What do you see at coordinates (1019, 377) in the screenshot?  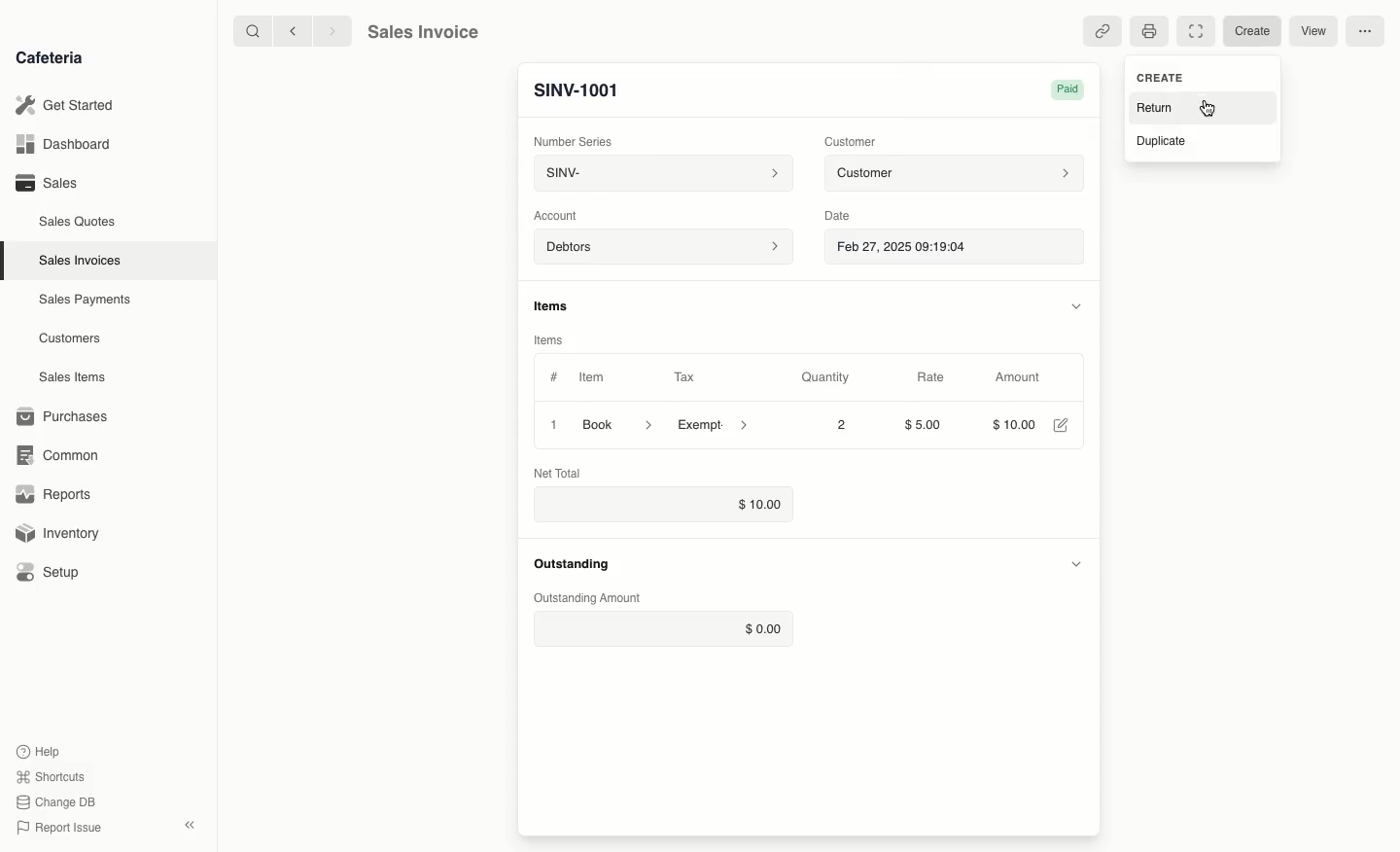 I see `Amount` at bounding box center [1019, 377].